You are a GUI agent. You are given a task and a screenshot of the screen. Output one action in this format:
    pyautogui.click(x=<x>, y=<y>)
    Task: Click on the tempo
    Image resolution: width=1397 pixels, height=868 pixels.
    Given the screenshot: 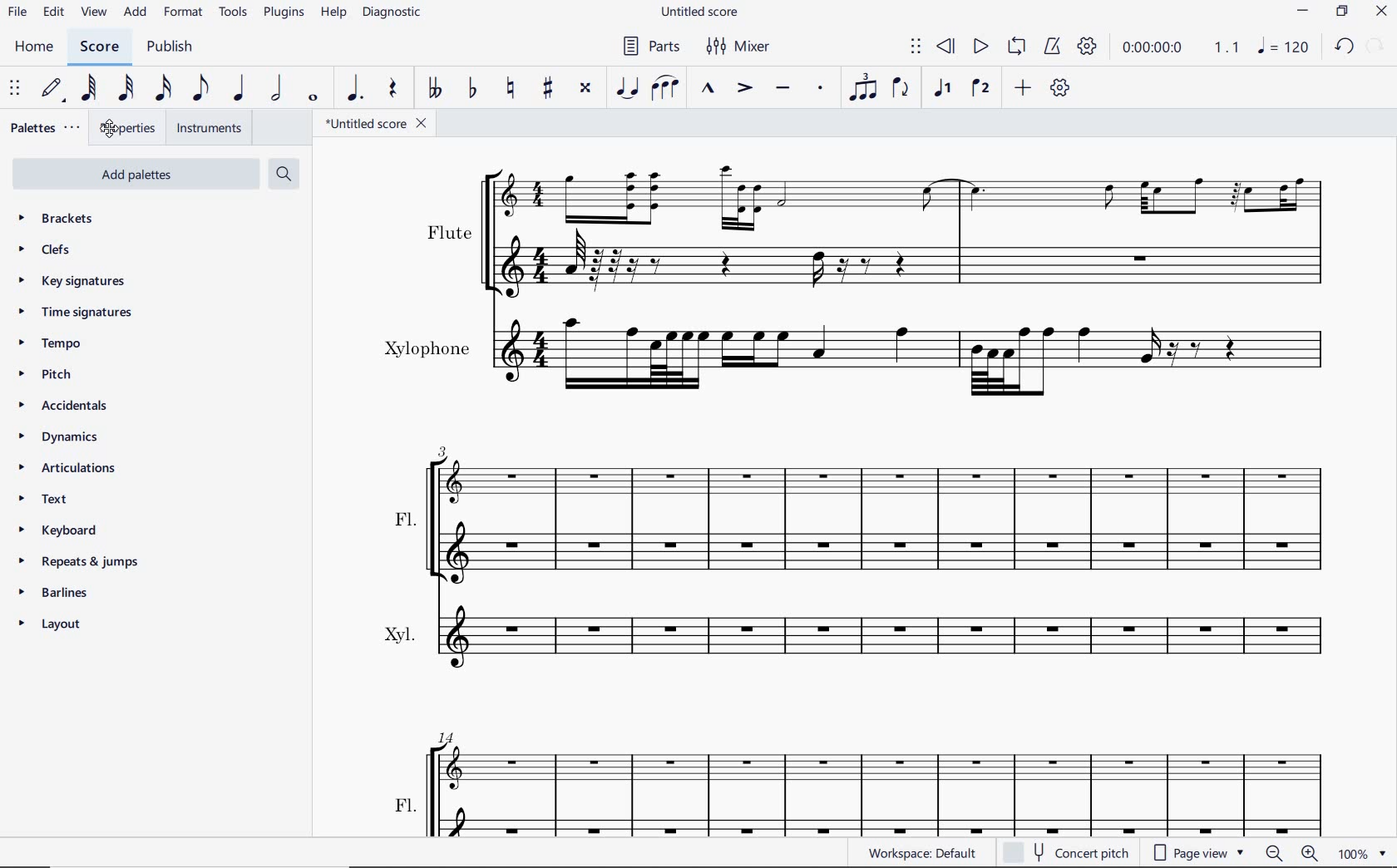 What is the action you would take?
    pyautogui.click(x=51, y=343)
    